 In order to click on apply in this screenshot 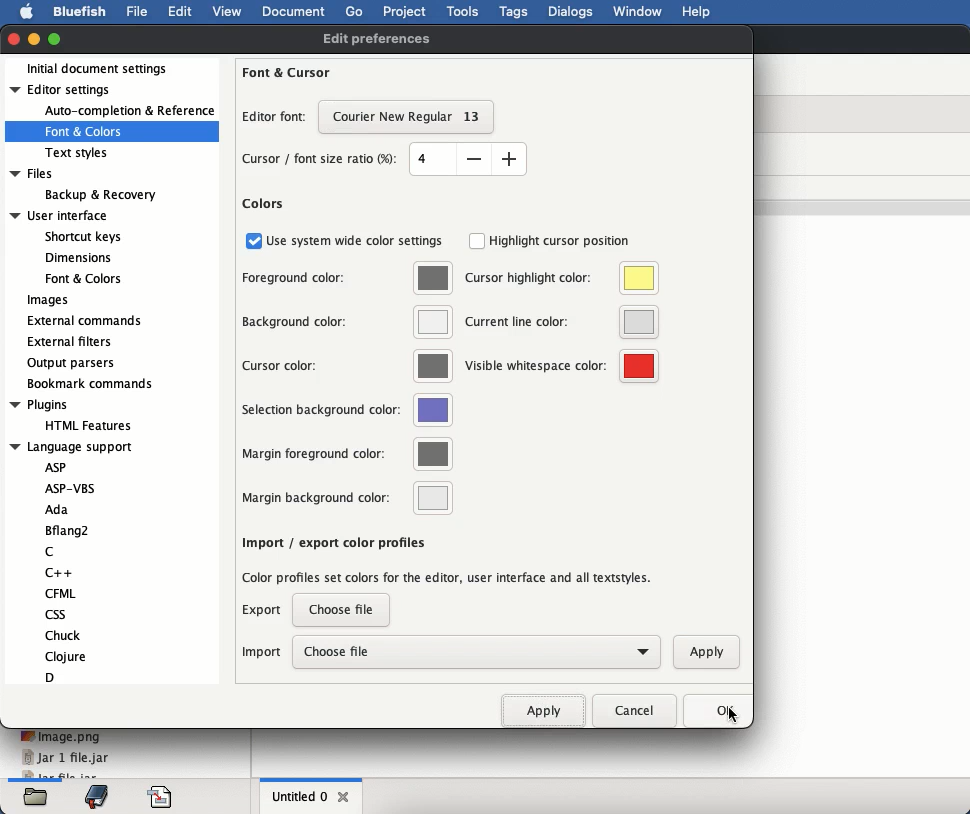, I will do `click(543, 709)`.